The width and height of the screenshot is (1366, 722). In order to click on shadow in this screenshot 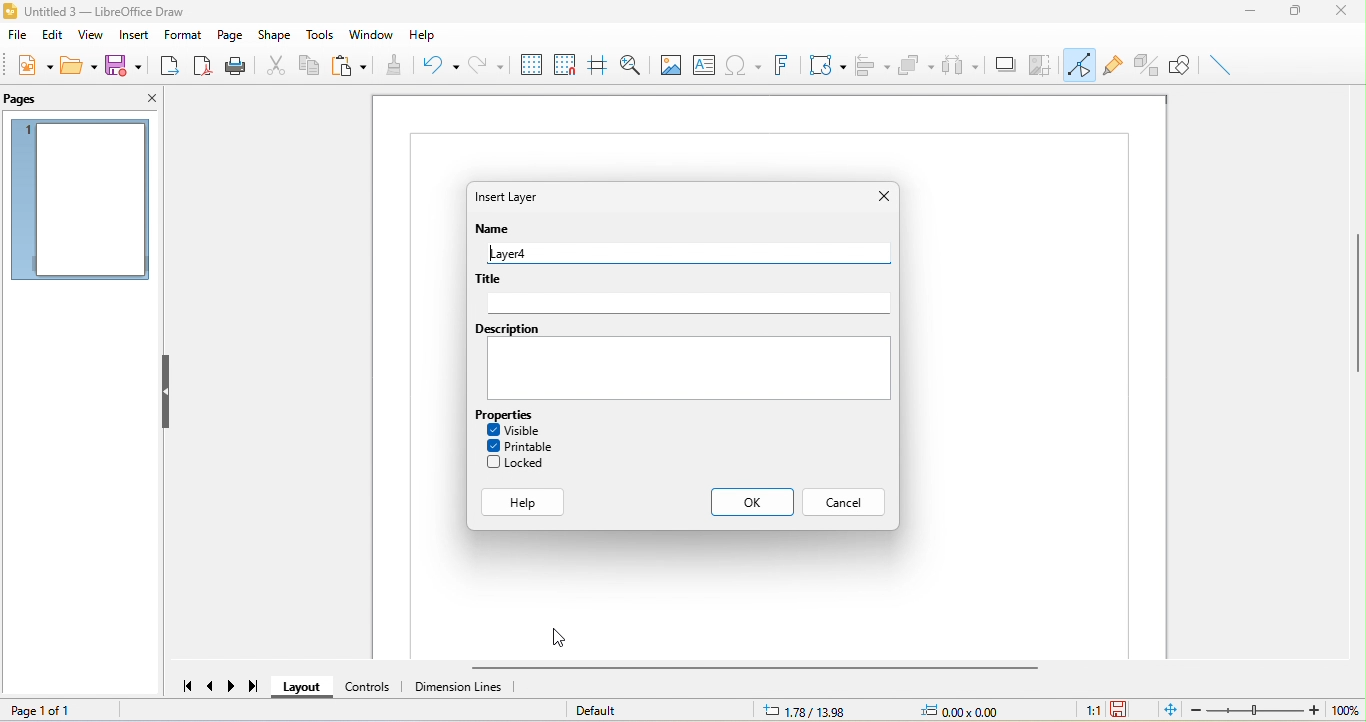, I will do `click(1004, 65)`.